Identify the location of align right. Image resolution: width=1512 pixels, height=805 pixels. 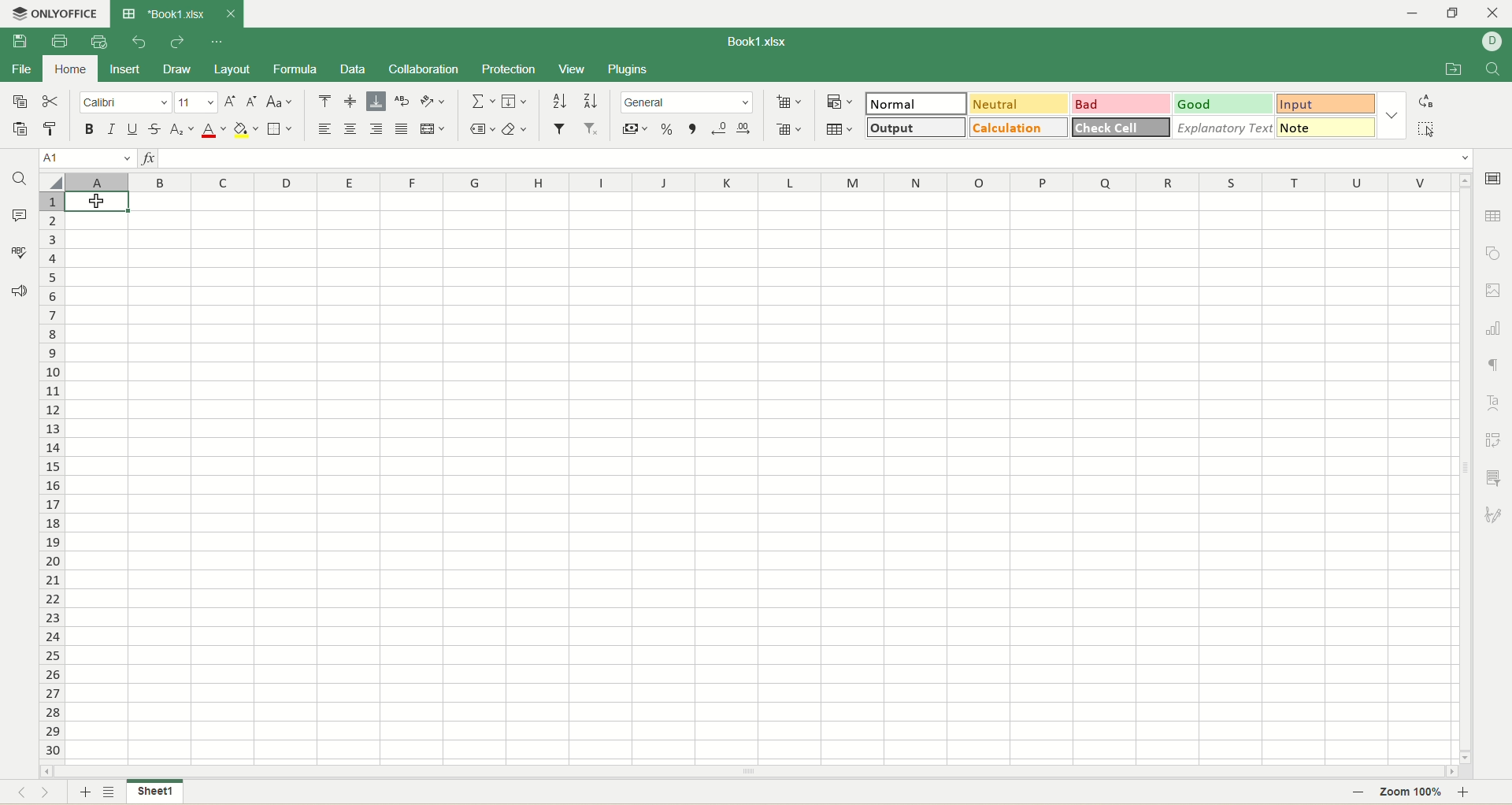
(376, 129).